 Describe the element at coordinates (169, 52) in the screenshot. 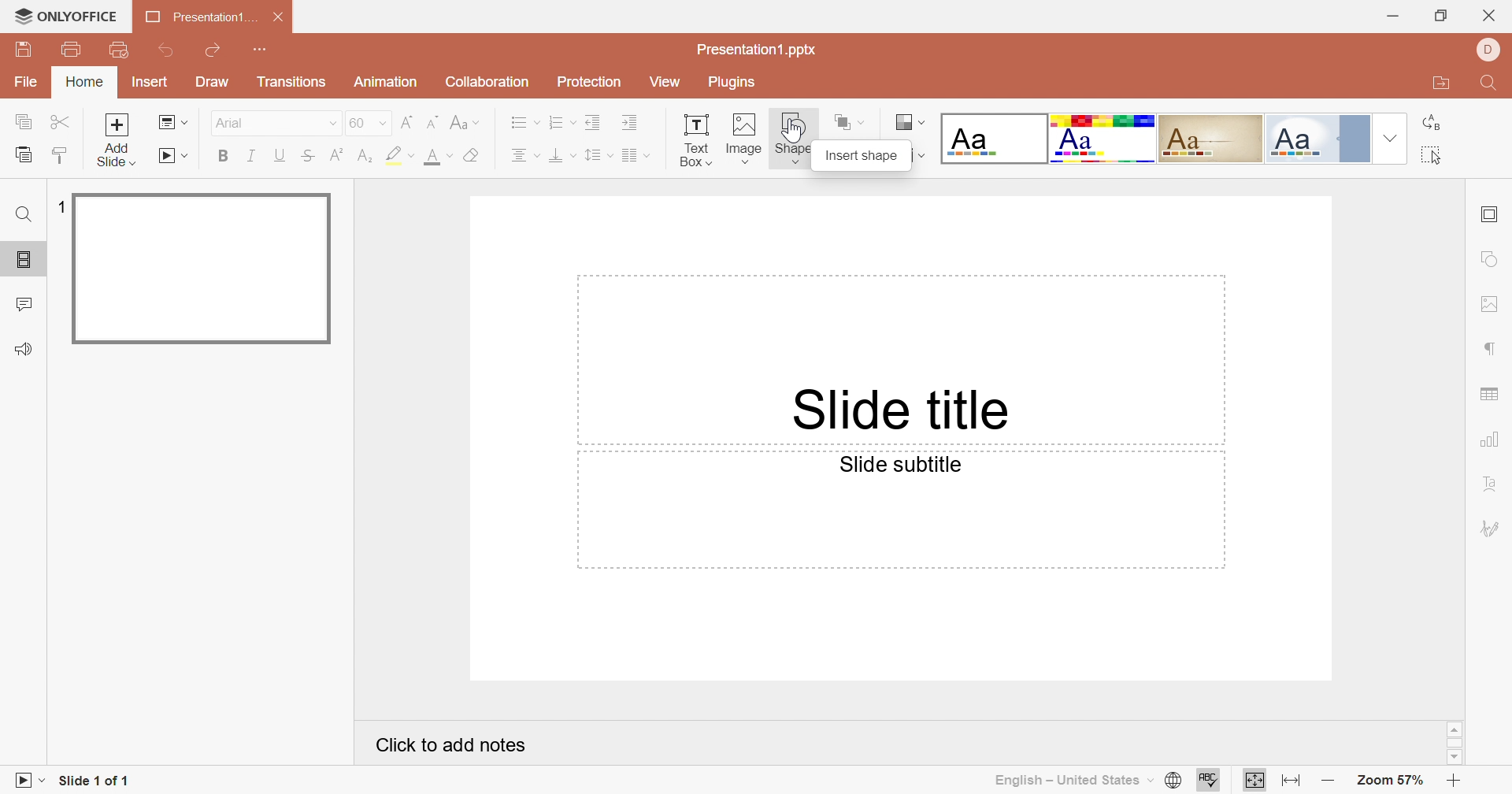

I see `Undo` at that location.